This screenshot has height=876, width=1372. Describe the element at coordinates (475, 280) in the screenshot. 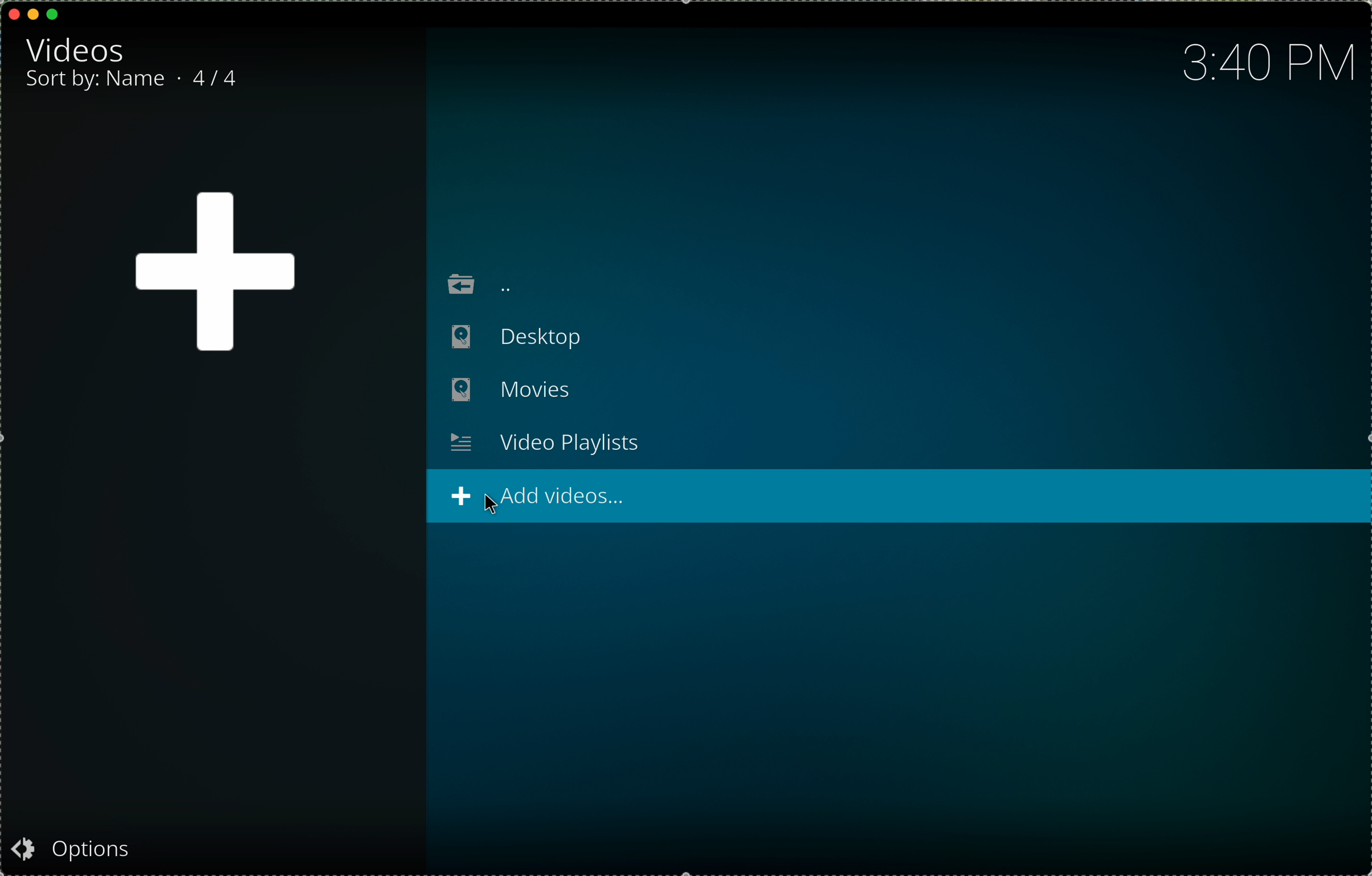

I see `back` at that location.